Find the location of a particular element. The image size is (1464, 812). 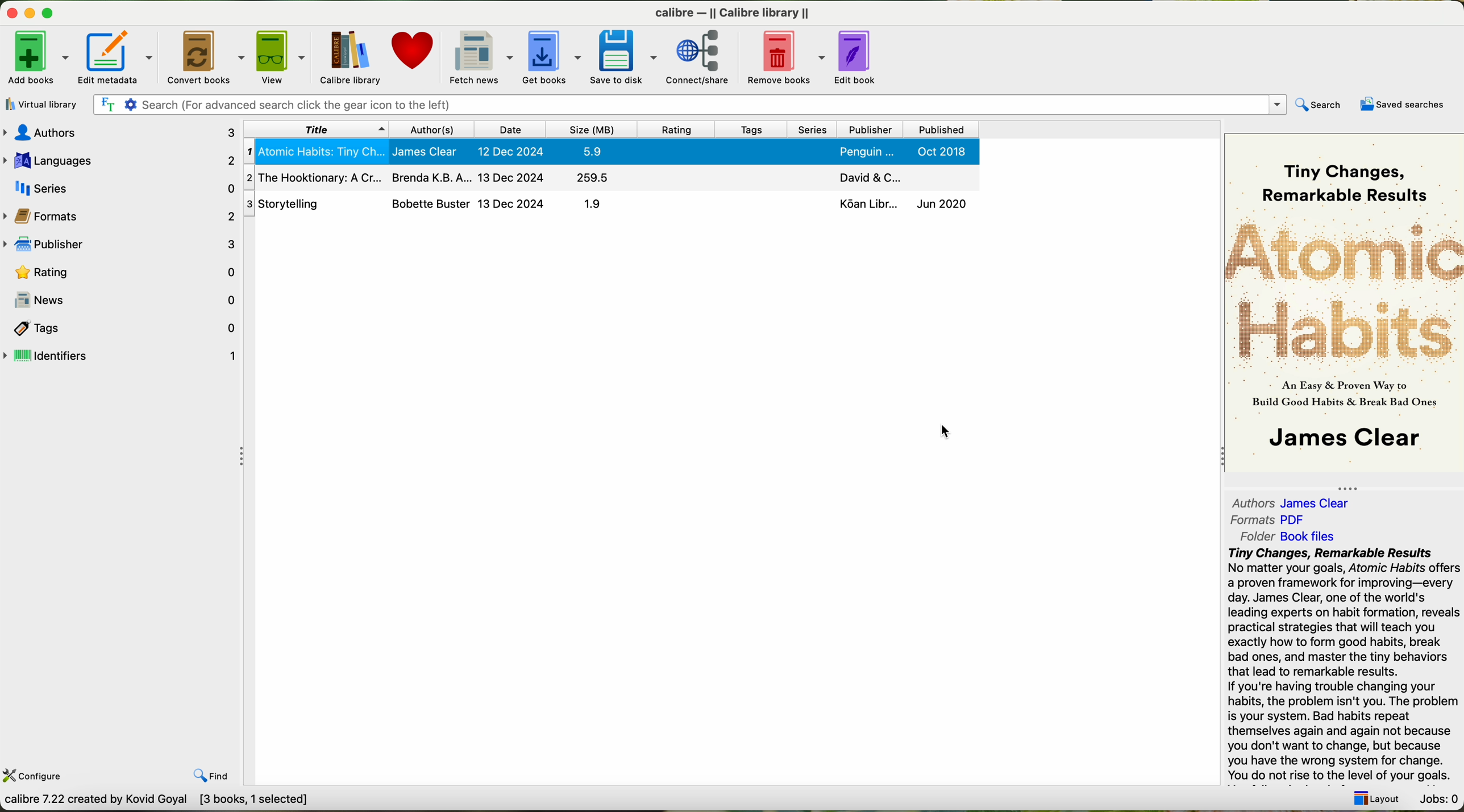

authors is located at coordinates (1249, 501).